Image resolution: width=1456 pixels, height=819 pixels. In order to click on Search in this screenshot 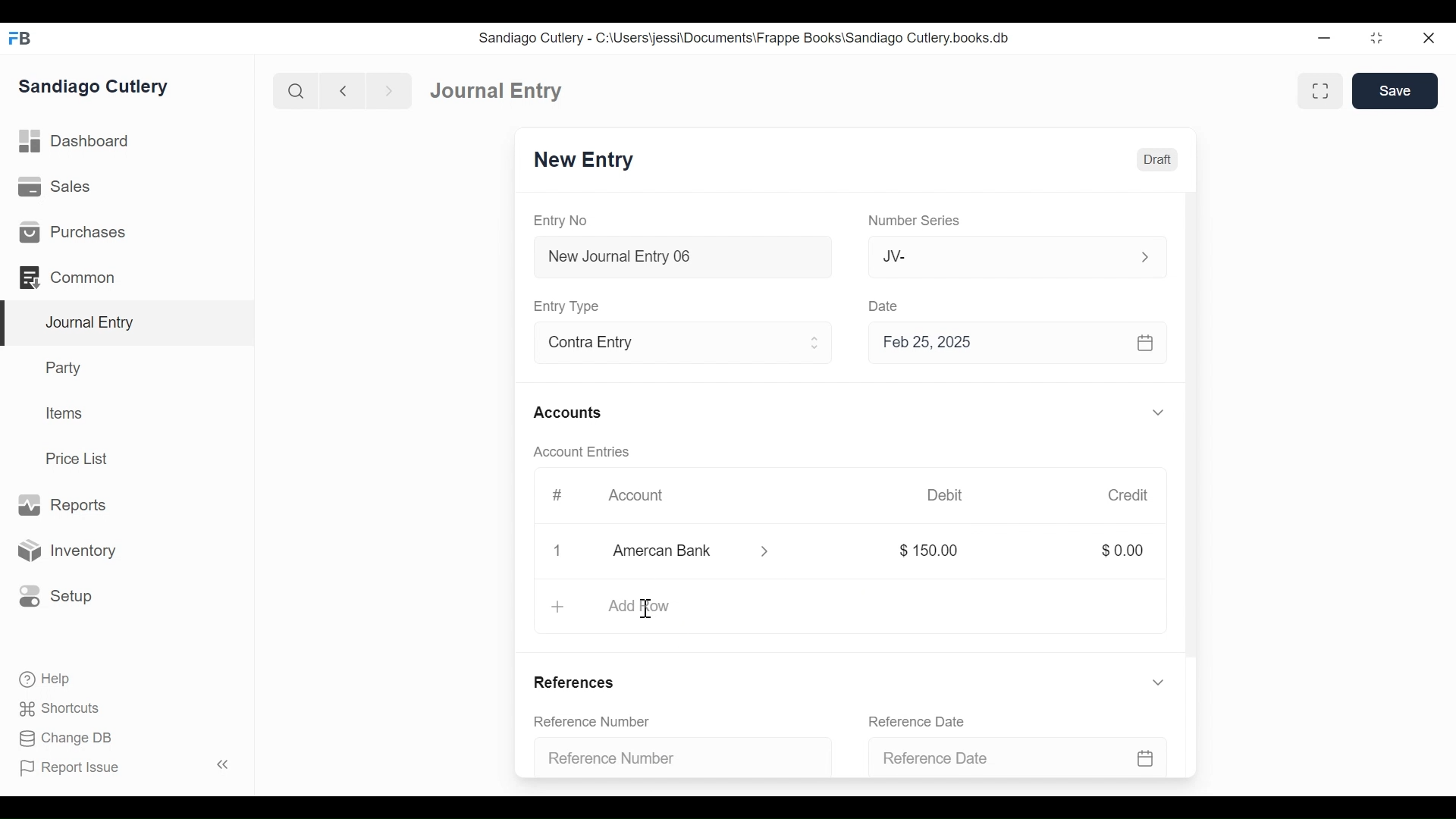, I will do `click(297, 91)`.